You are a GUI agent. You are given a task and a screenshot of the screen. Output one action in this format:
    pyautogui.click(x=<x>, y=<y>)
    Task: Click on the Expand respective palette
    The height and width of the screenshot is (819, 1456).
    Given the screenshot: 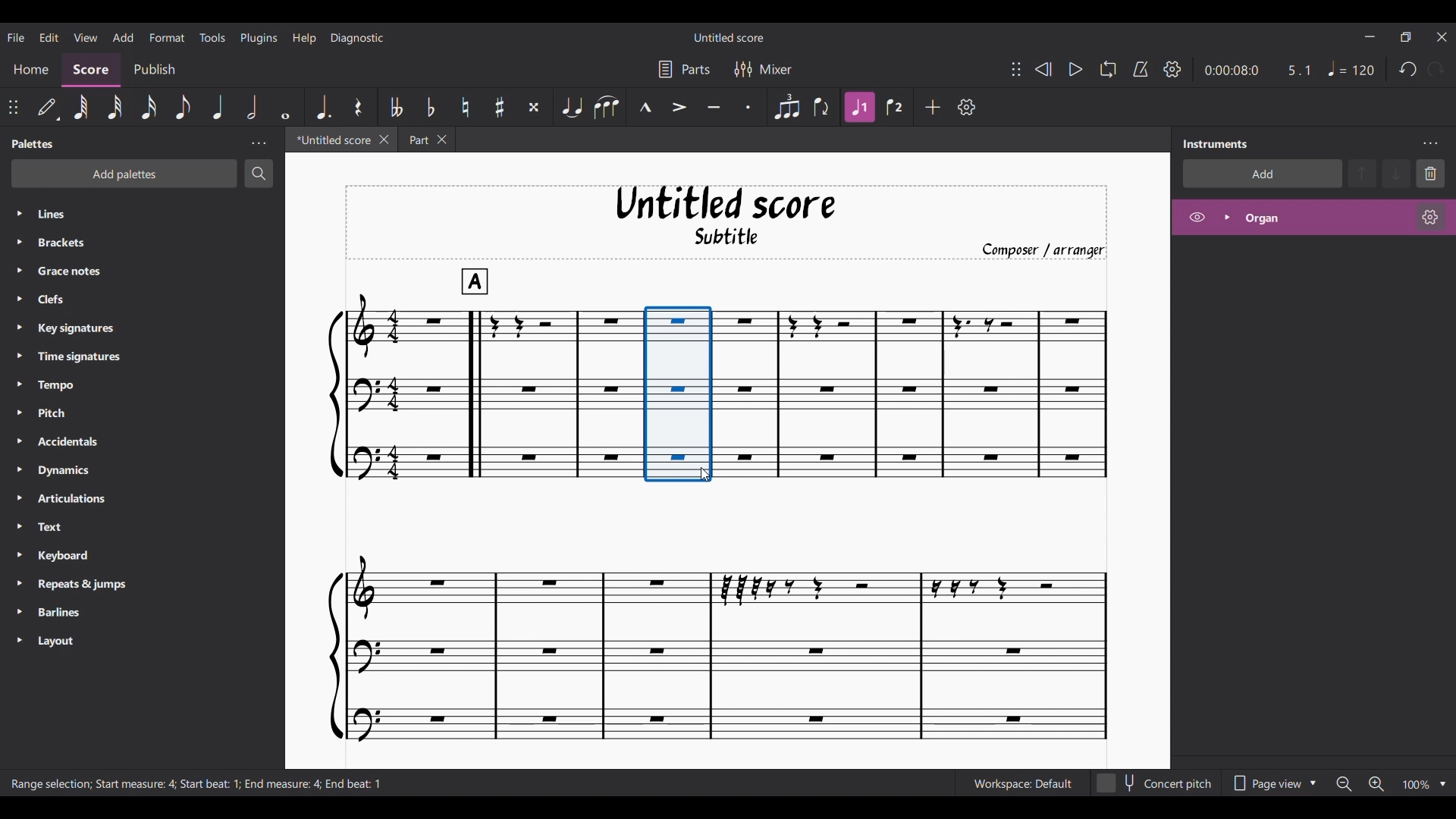 What is the action you would take?
    pyautogui.click(x=19, y=427)
    